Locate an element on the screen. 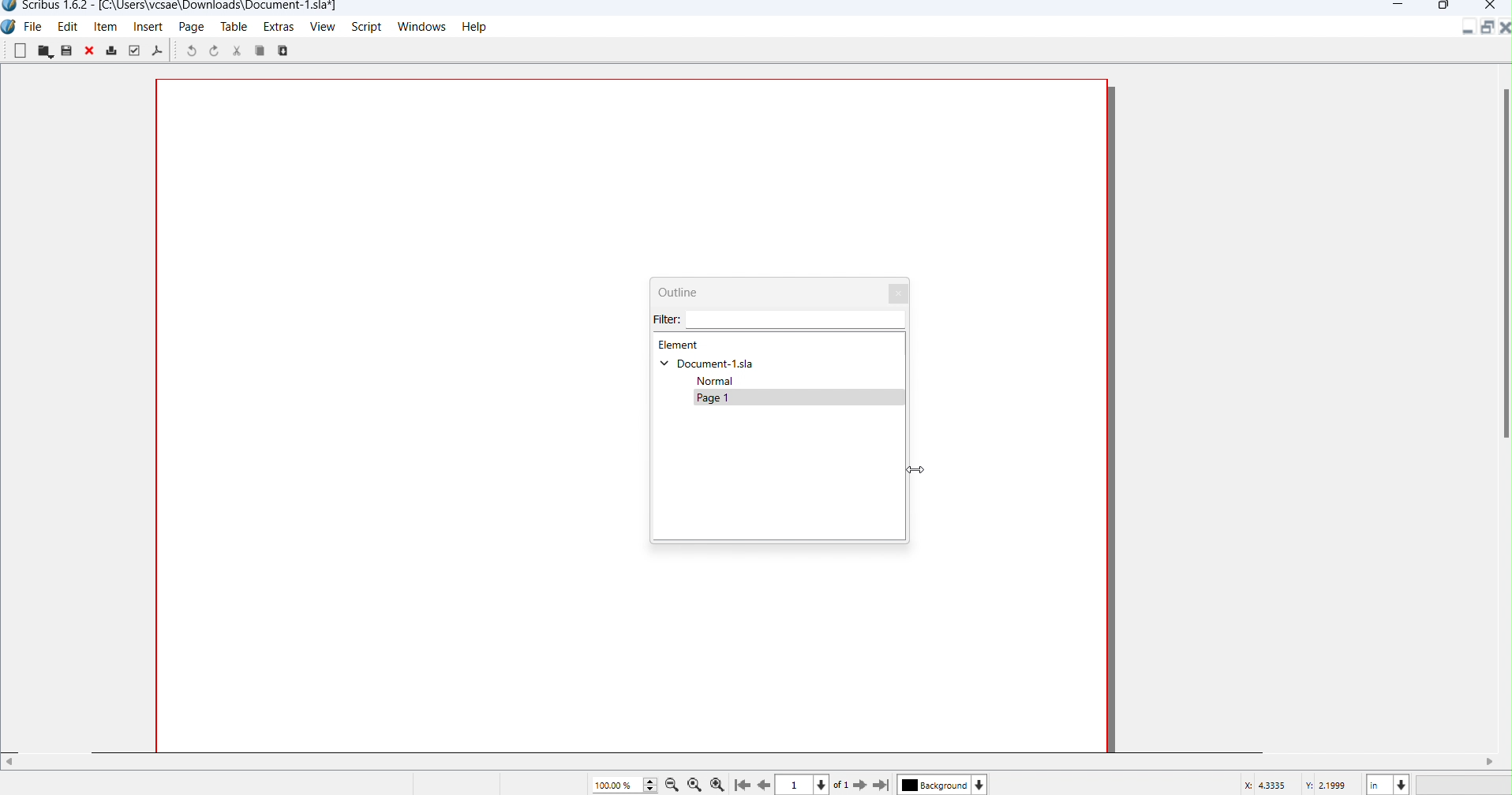 The width and height of the screenshot is (1512, 795).  is located at coordinates (44, 51).